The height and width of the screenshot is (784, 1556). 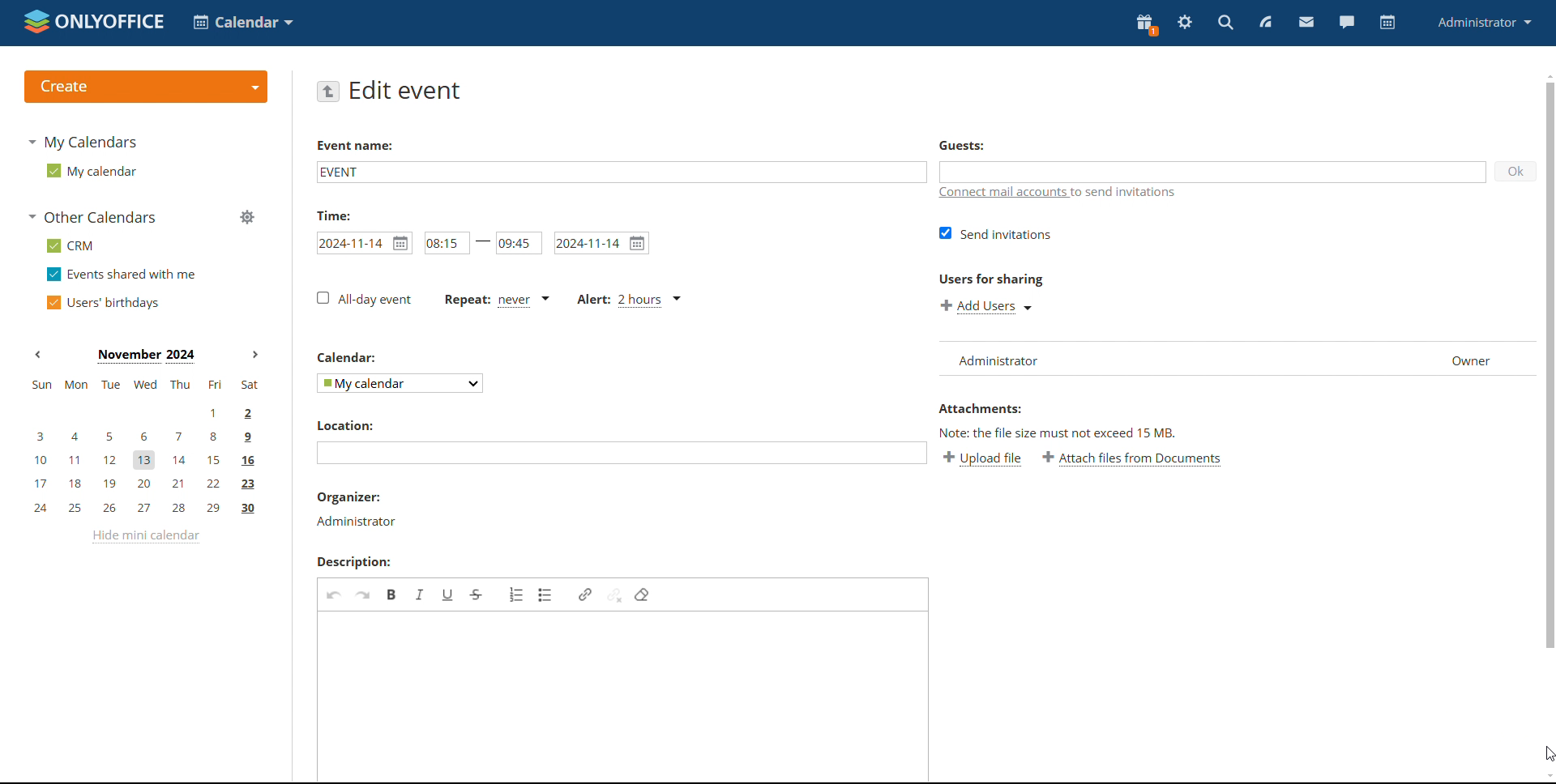 What do you see at coordinates (1186, 23) in the screenshot?
I see `settings` at bounding box center [1186, 23].